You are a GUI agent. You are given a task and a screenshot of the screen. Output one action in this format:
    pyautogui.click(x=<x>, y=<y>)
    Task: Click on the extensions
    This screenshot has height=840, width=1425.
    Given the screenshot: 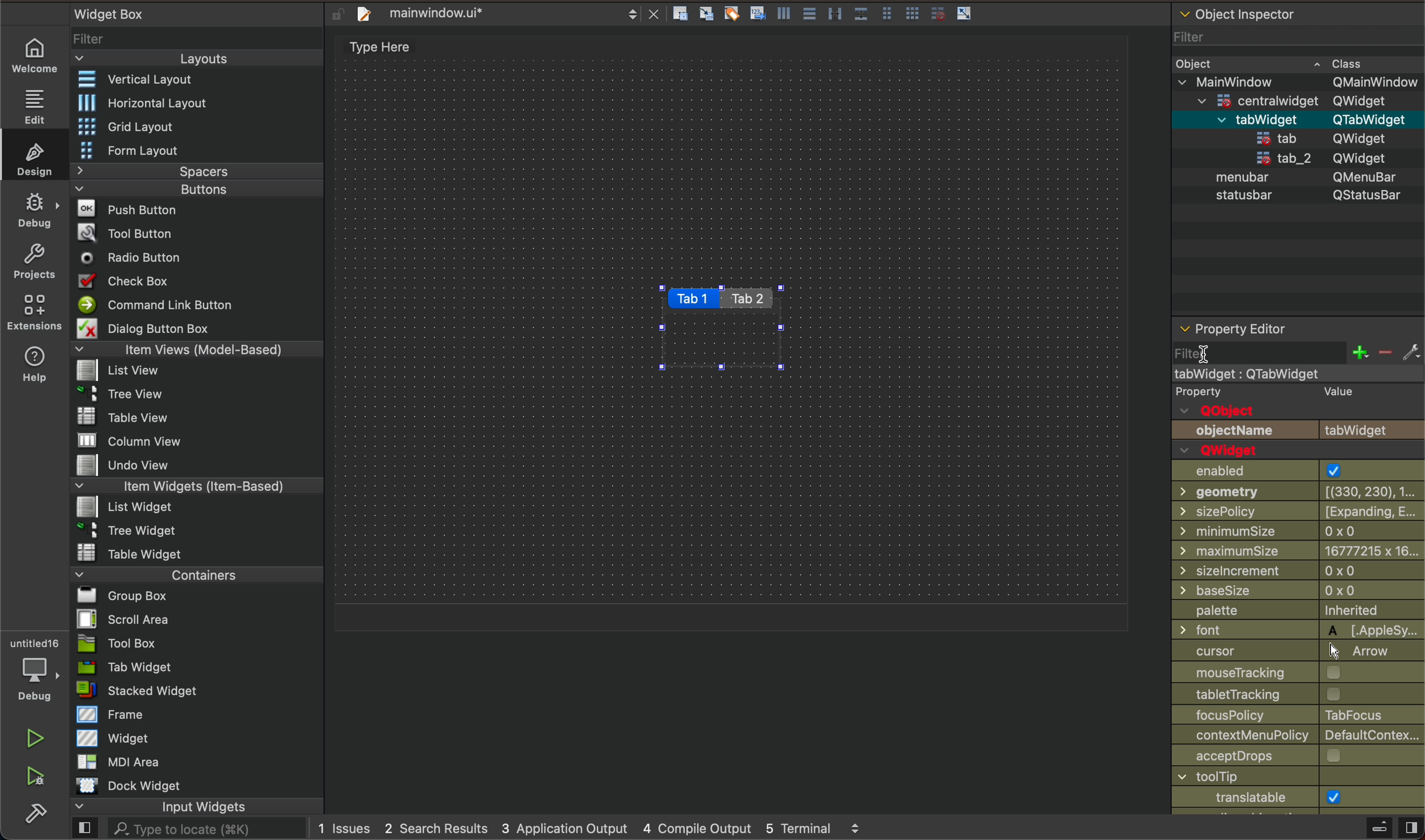 What is the action you would take?
    pyautogui.click(x=37, y=310)
    